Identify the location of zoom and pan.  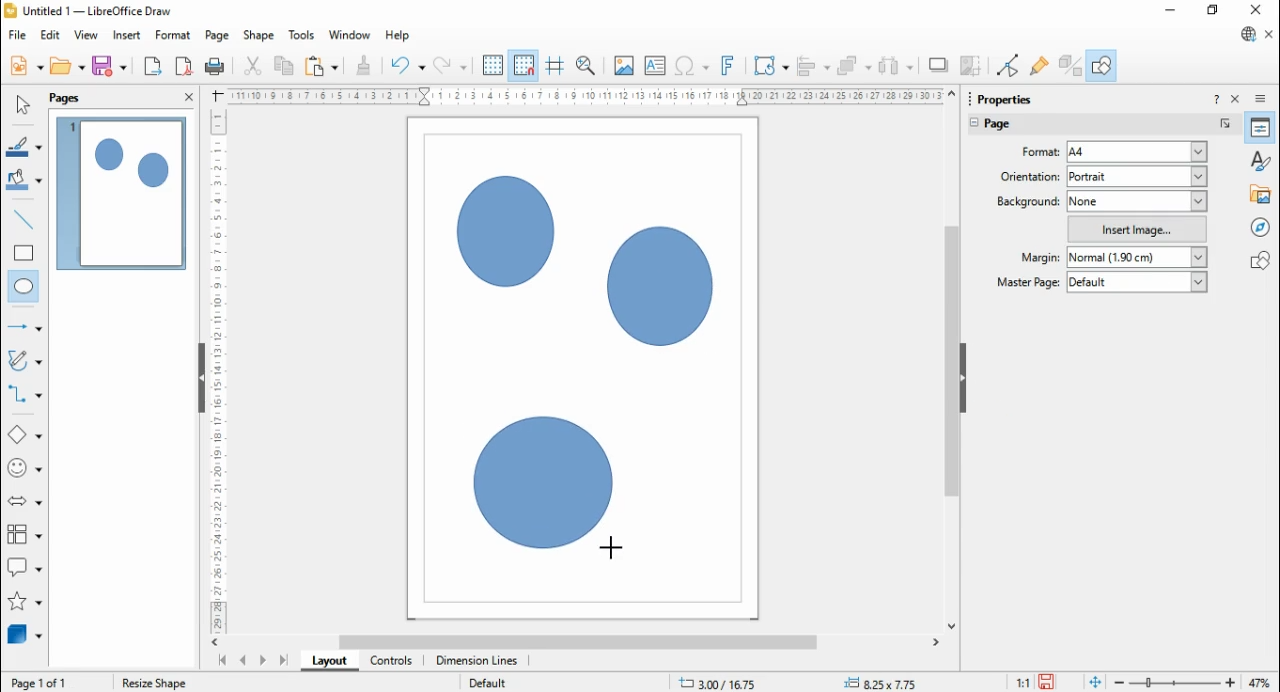
(586, 66).